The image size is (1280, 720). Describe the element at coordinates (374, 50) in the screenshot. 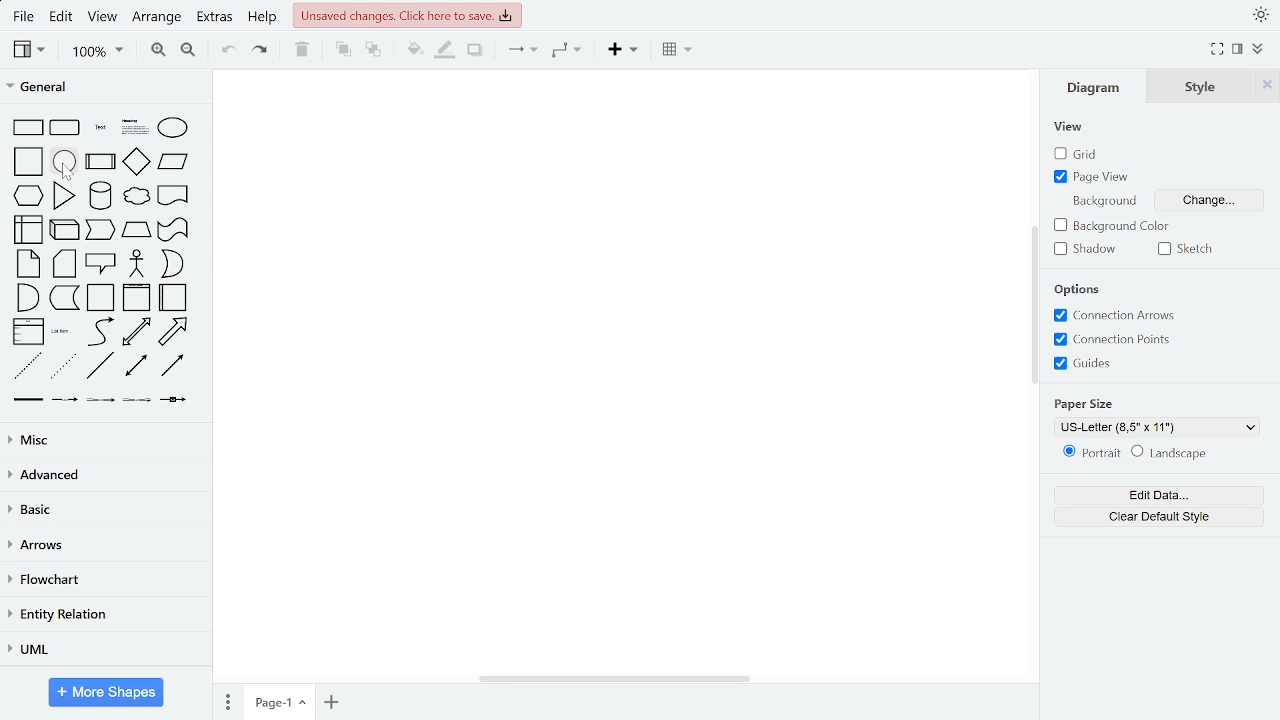

I see `to back` at that location.